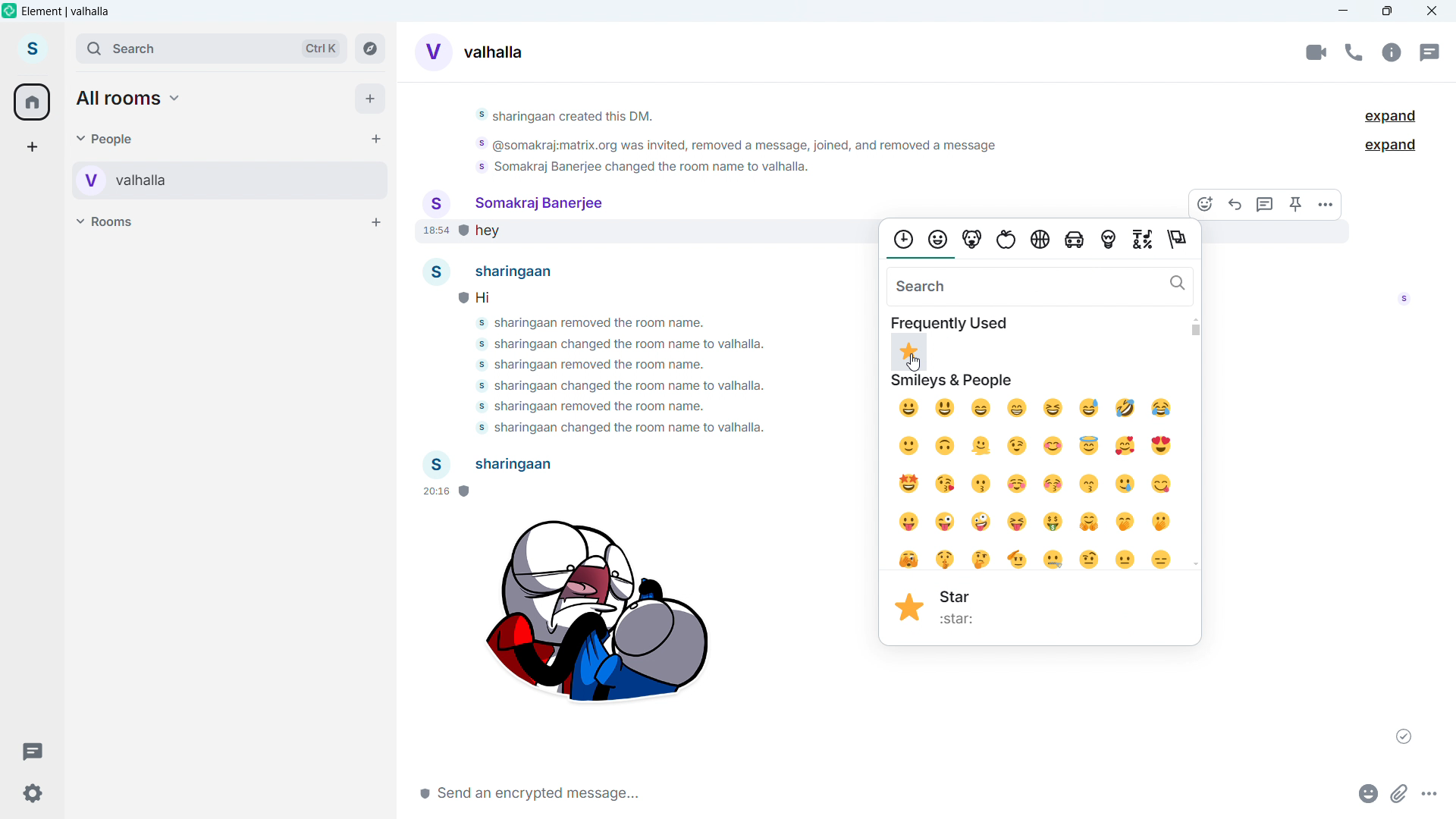  Describe the element at coordinates (947, 559) in the screenshot. I see `shushing face` at that location.